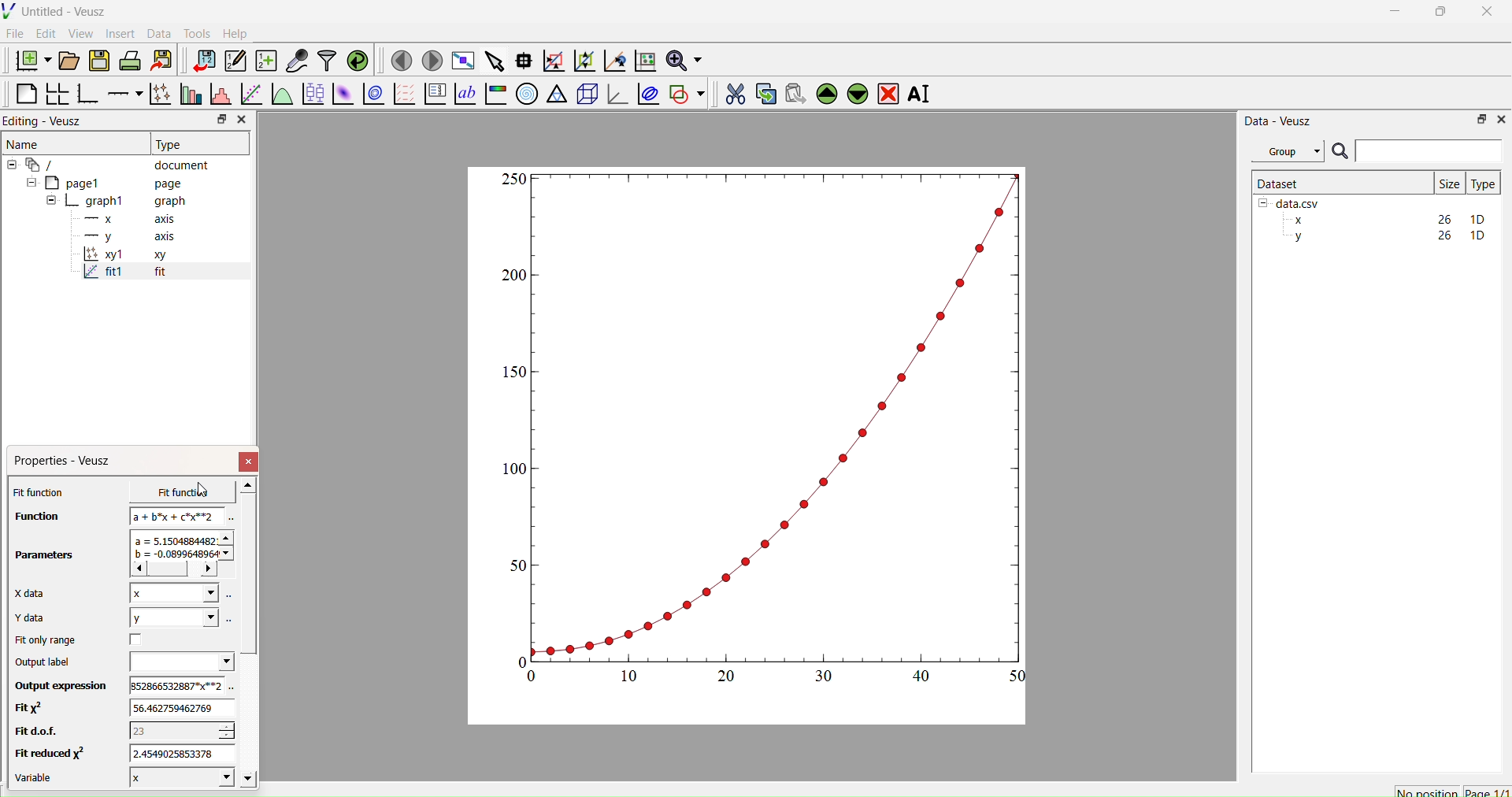 The image size is (1512, 797). I want to click on Zoom out of graph axis, so click(583, 59).